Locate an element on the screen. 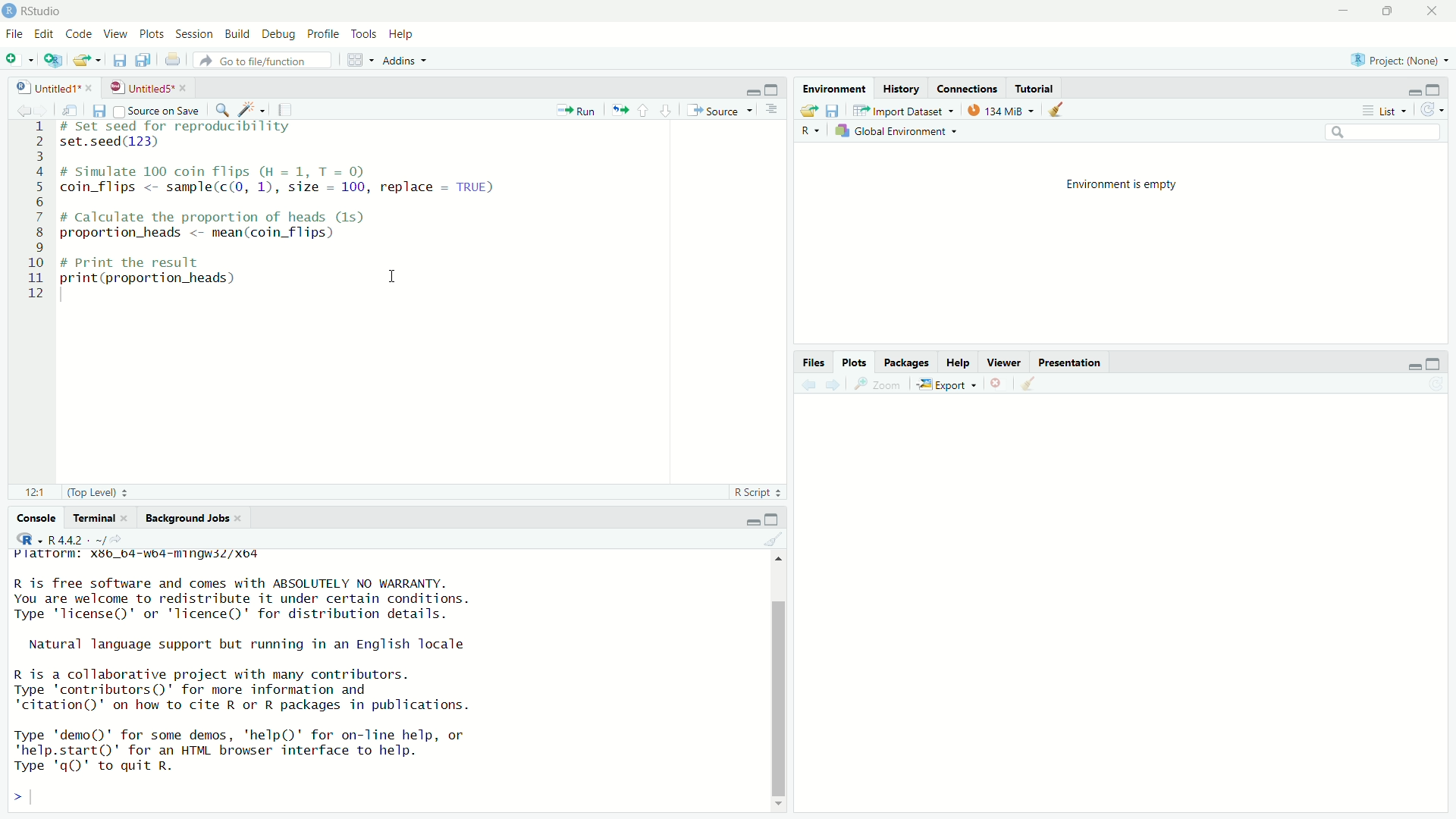 The height and width of the screenshot is (819, 1456). save workspace as is located at coordinates (835, 111).